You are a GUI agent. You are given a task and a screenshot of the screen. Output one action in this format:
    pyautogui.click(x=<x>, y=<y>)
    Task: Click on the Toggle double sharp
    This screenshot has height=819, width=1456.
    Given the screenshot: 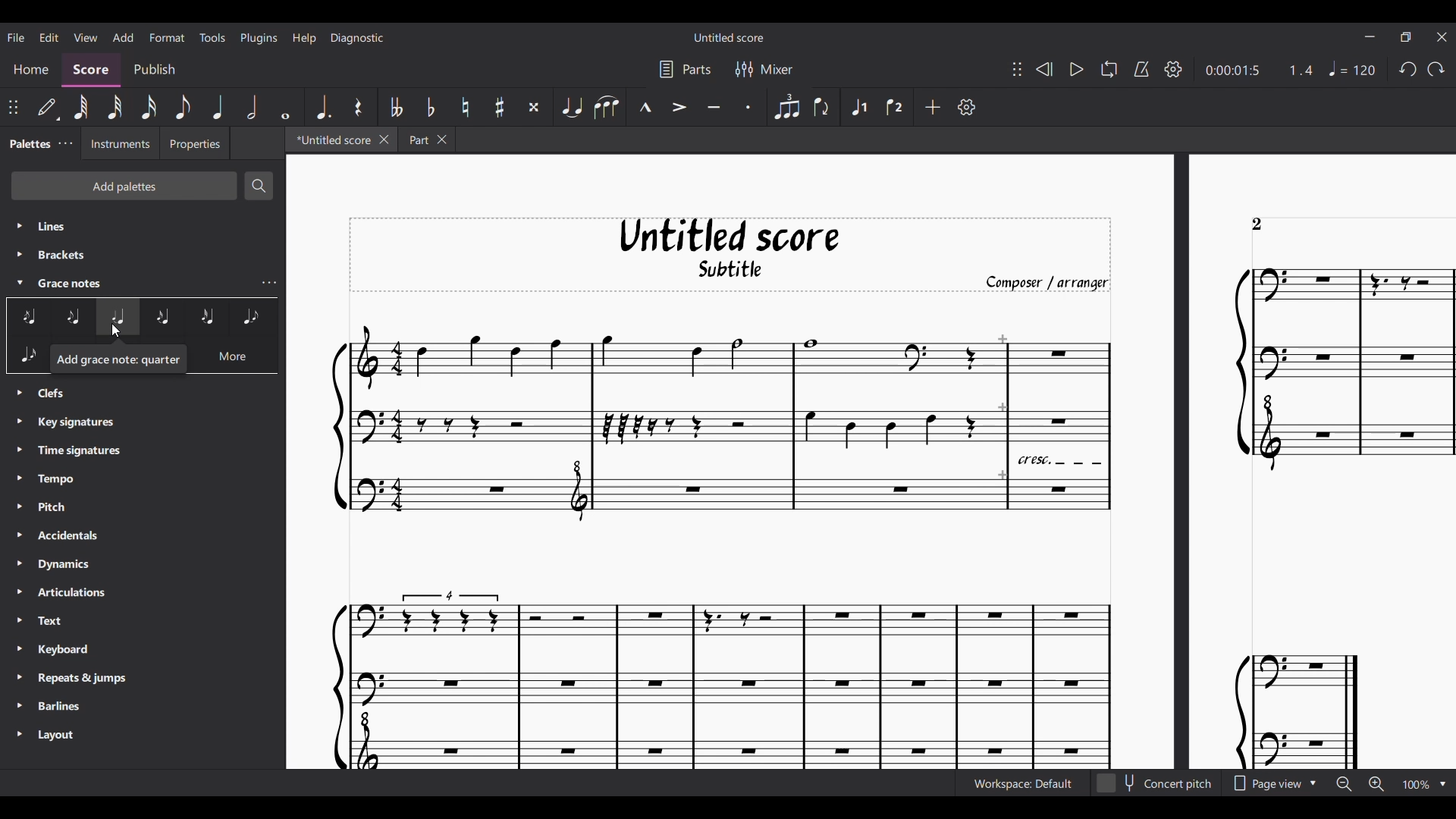 What is the action you would take?
    pyautogui.click(x=534, y=108)
    